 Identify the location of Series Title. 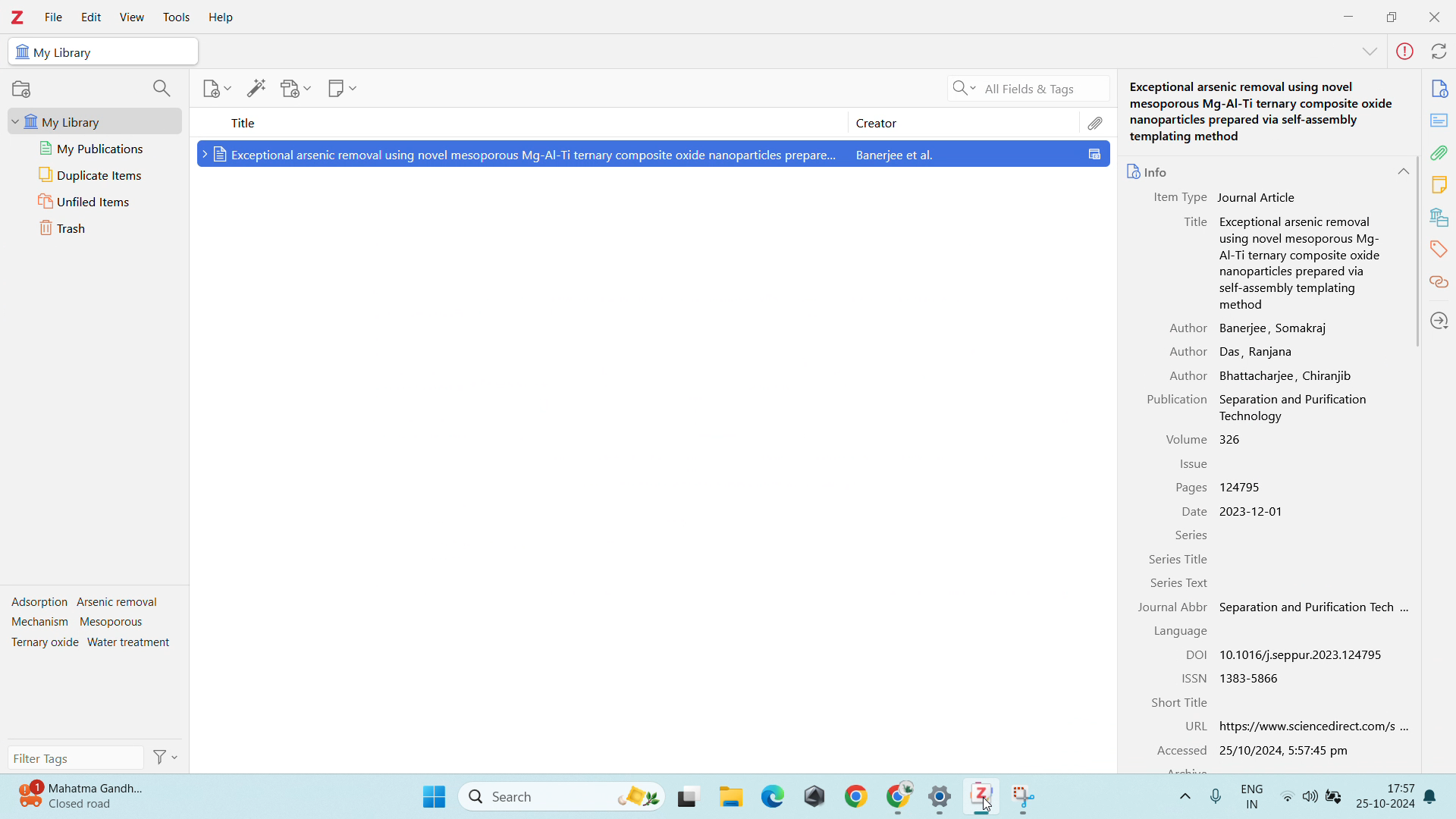
(1180, 559).